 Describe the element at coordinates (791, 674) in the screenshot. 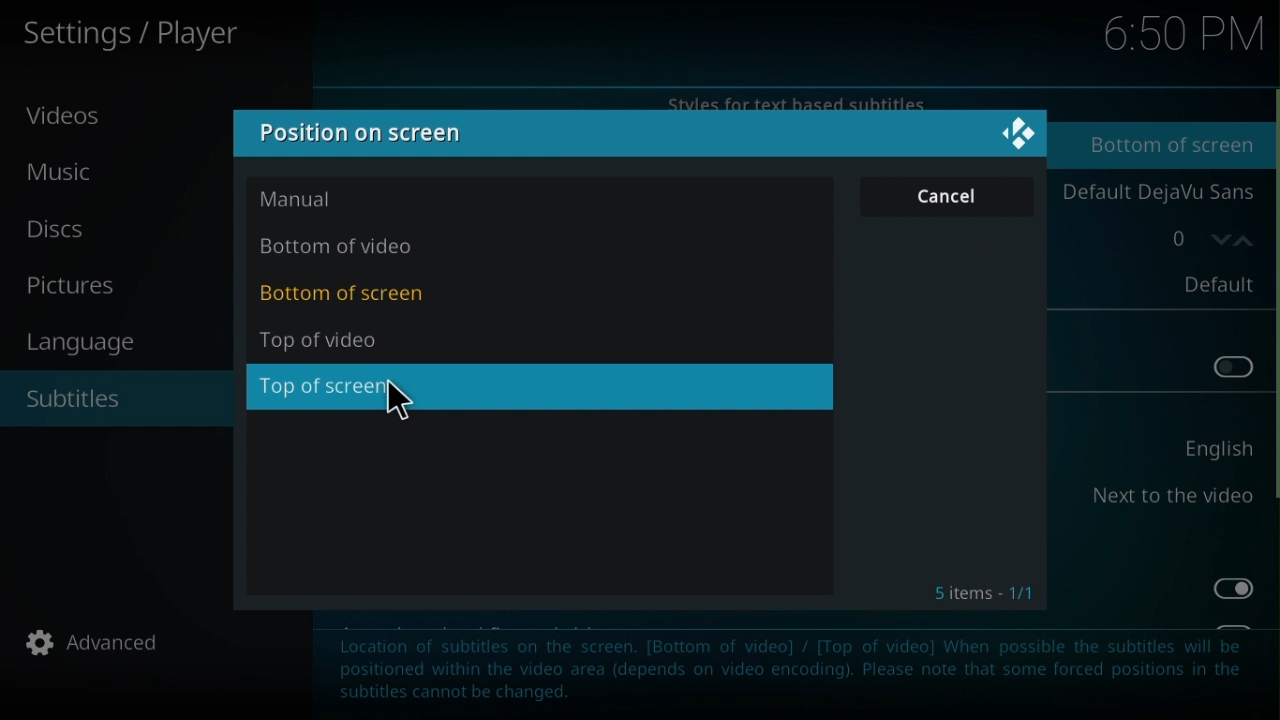

I see `information about subtitles cannot be changed,` at that location.